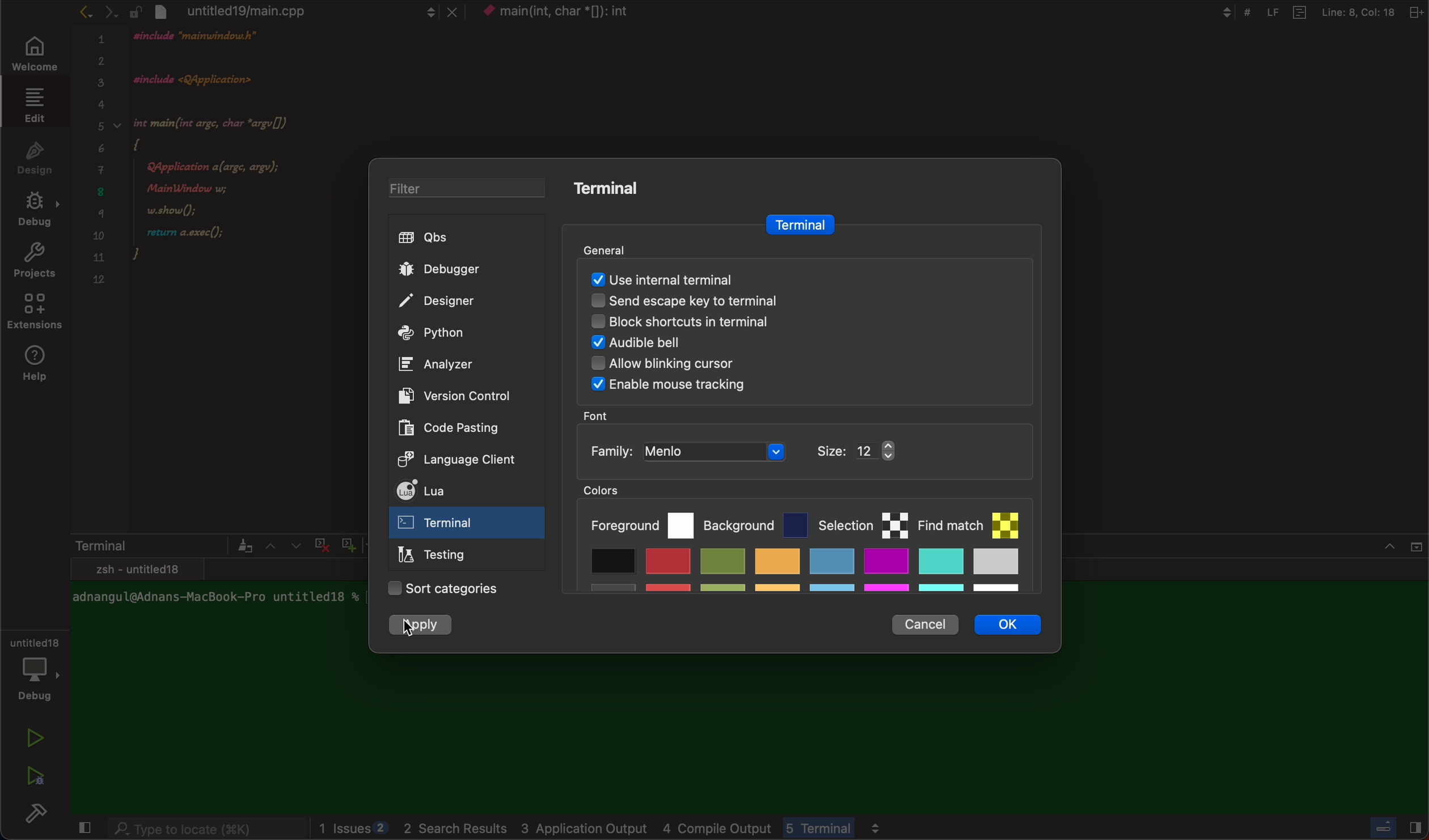  I want to click on selection, so click(863, 523).